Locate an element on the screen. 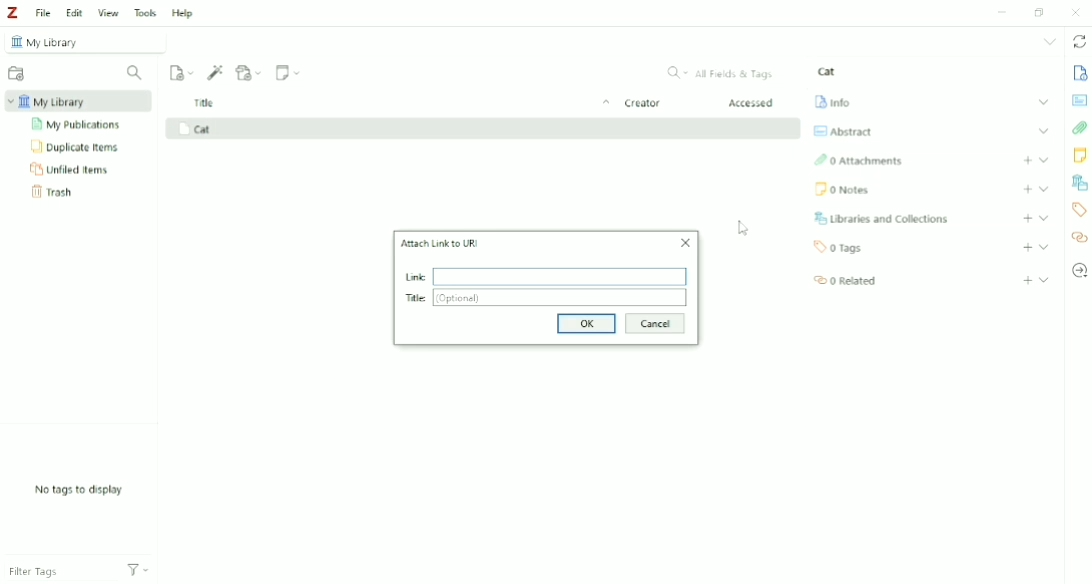  Libraries and Collections is located at coordinates (880, 218).